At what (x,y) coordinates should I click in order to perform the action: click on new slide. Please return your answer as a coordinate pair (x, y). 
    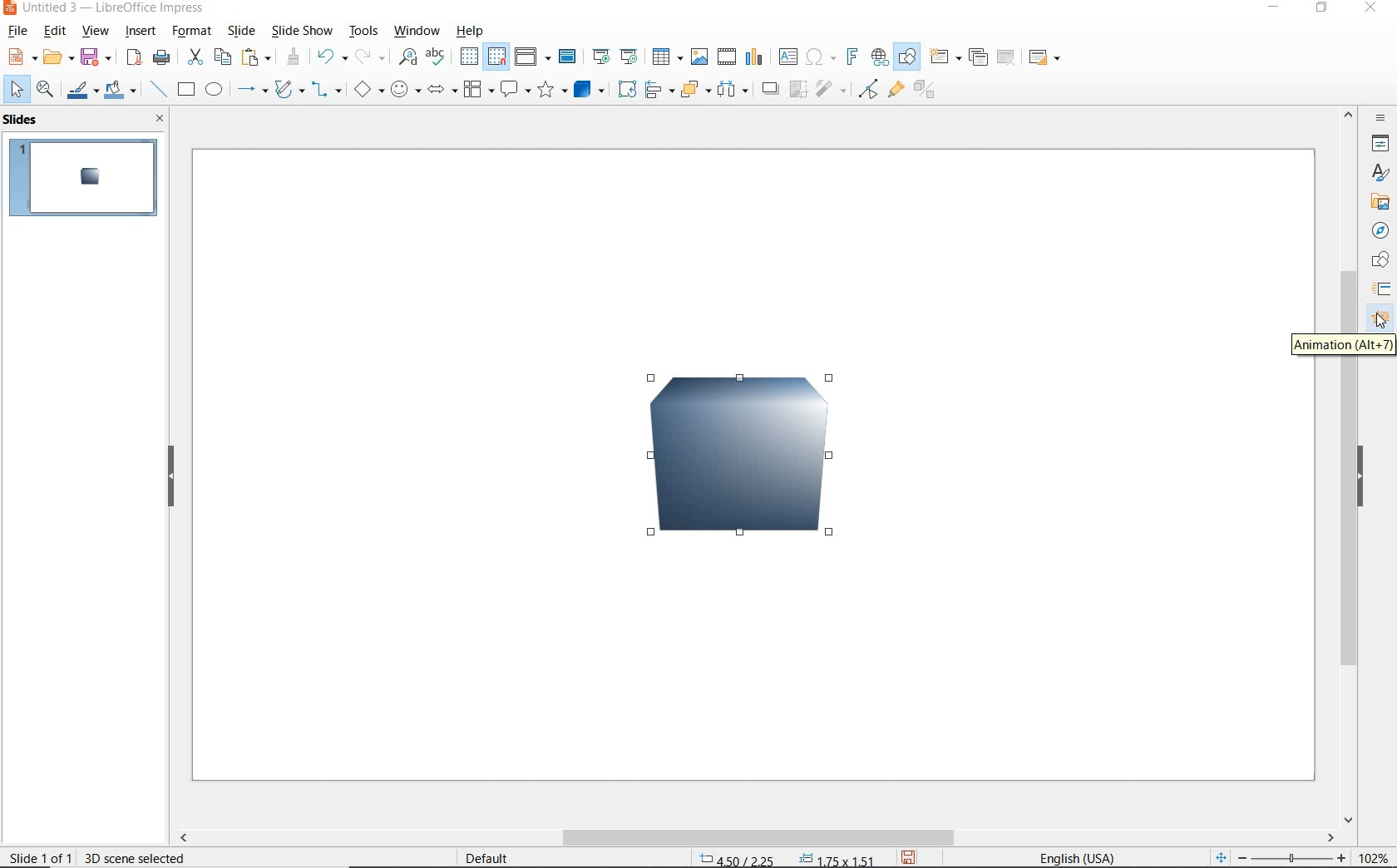
    Looking at the image, I should click on (945, 58).